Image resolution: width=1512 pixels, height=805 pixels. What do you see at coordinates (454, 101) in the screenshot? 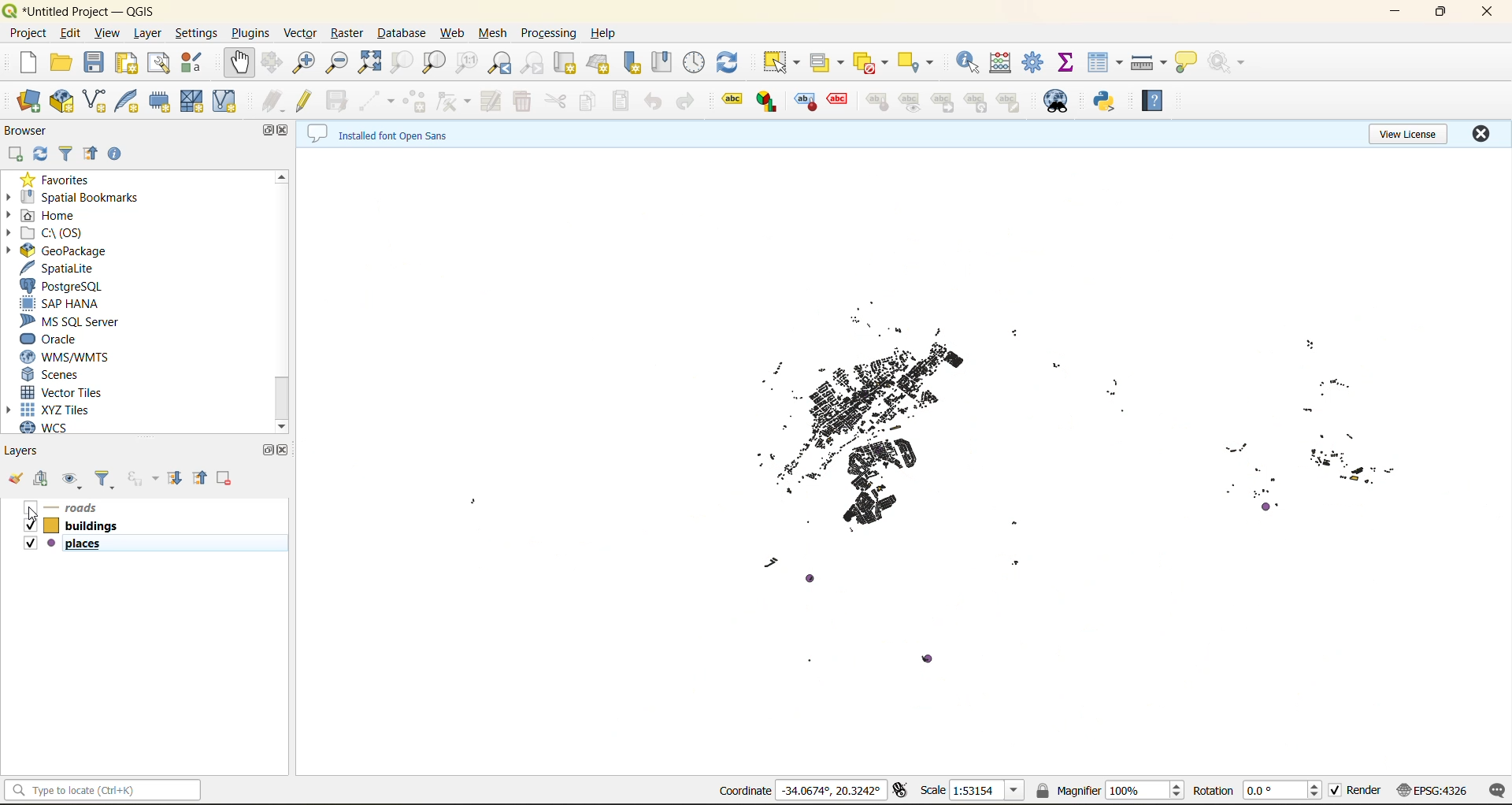
I see `vertex tools` at bounding box center [454, 101].